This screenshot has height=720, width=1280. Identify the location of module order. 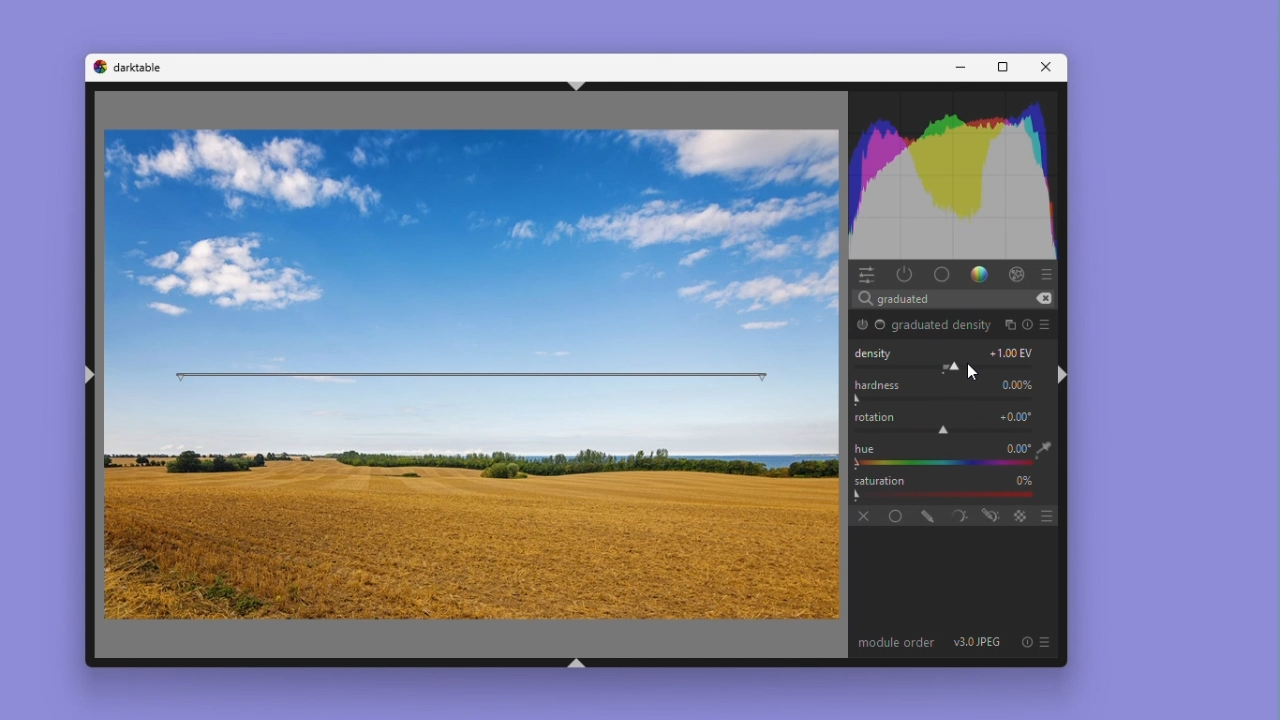
(896, 643).